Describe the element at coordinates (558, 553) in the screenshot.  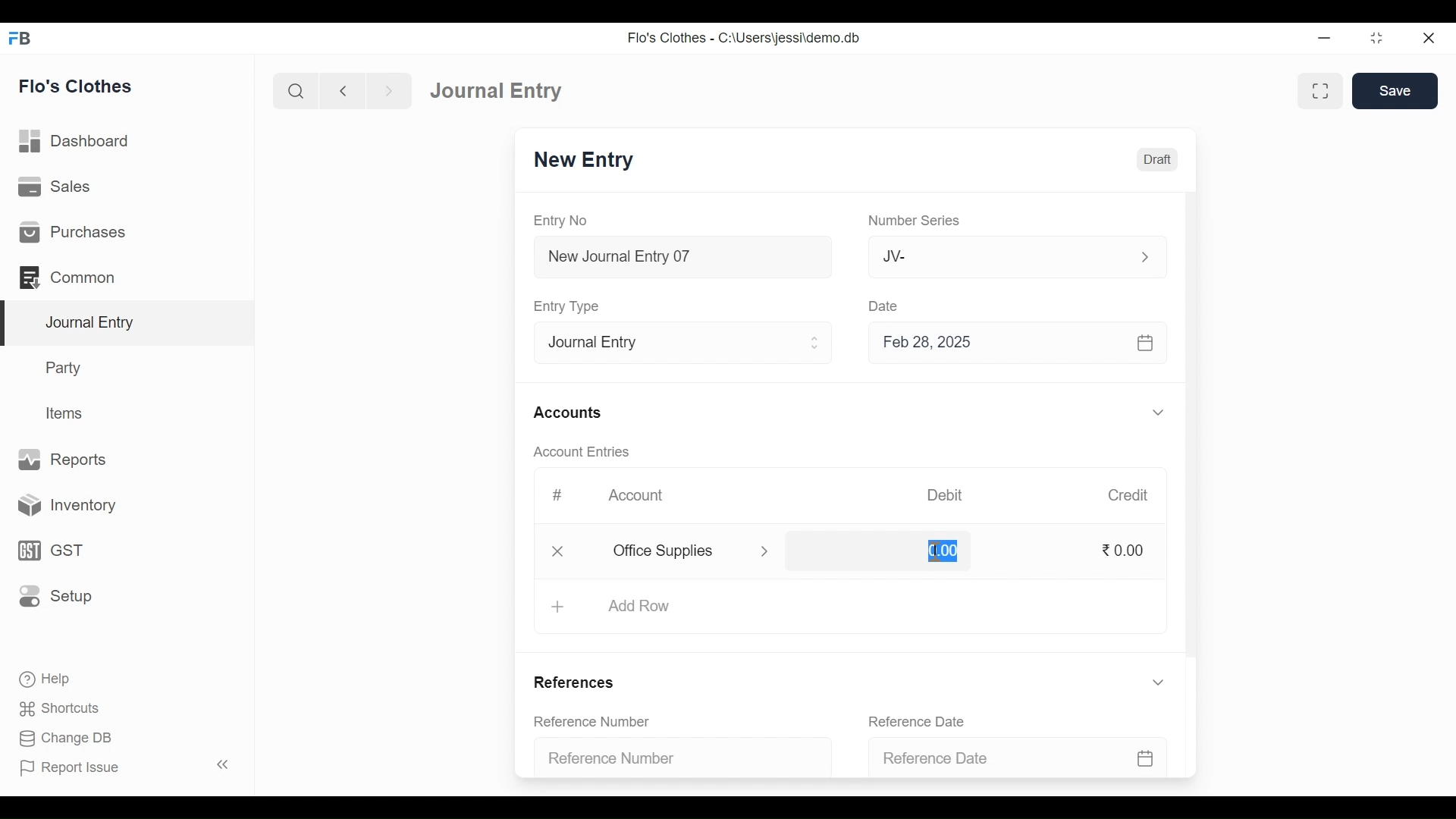
I see `Close` at that location.